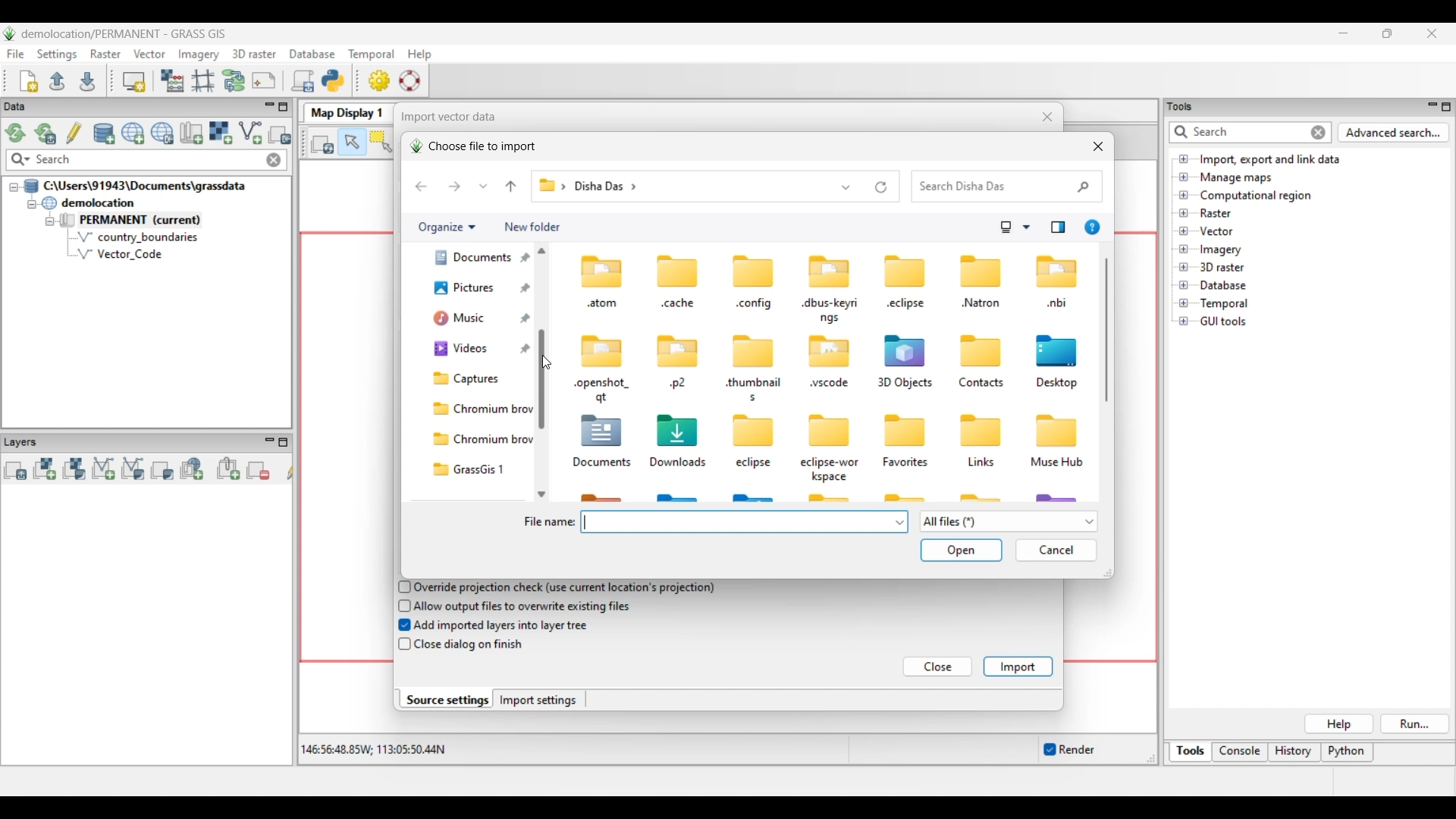  What do you see at coordinates (601, 305) in the screenshot?
I see `atom` at bounding box center [601, 305].